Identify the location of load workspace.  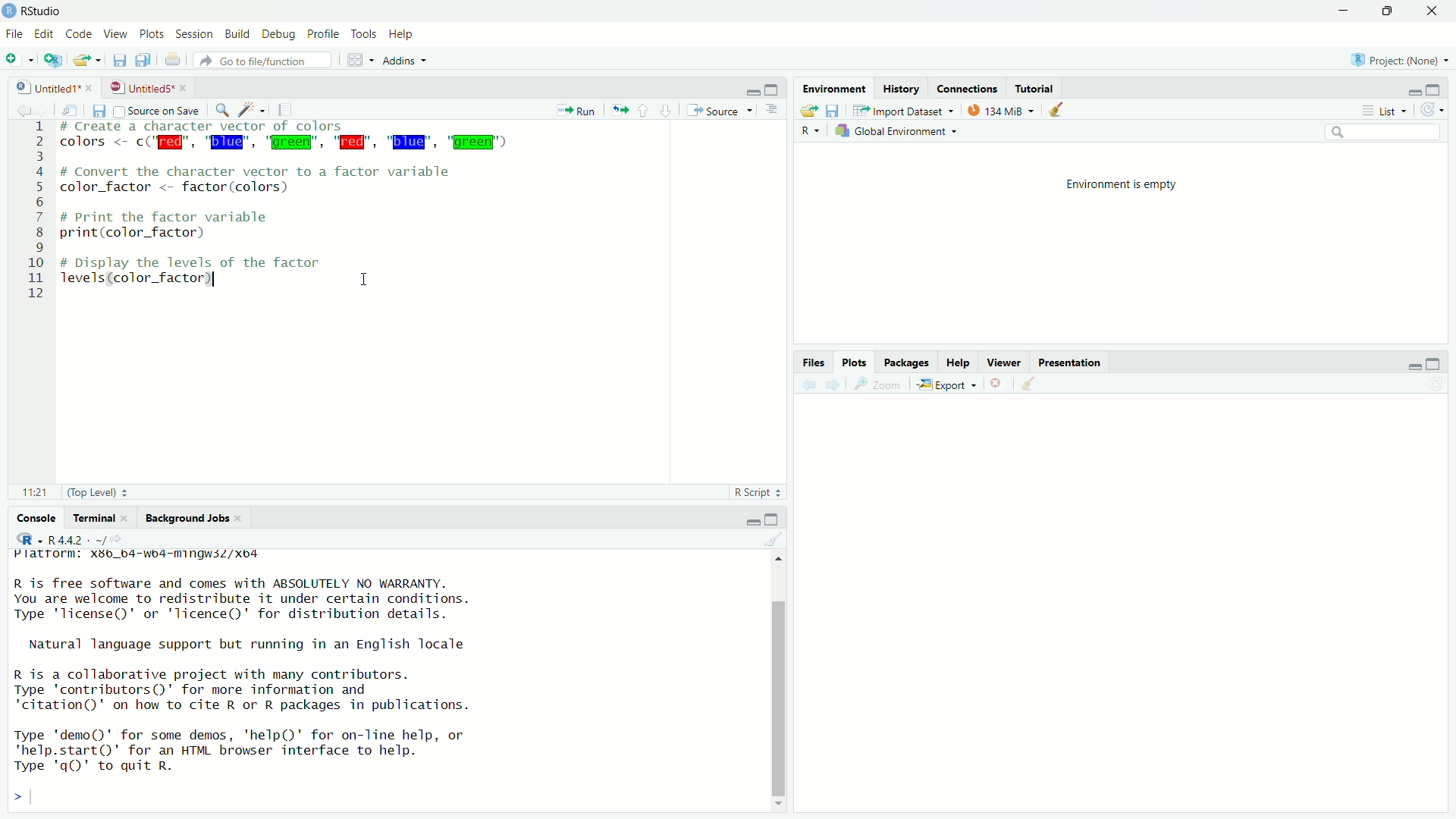
(806, 110).